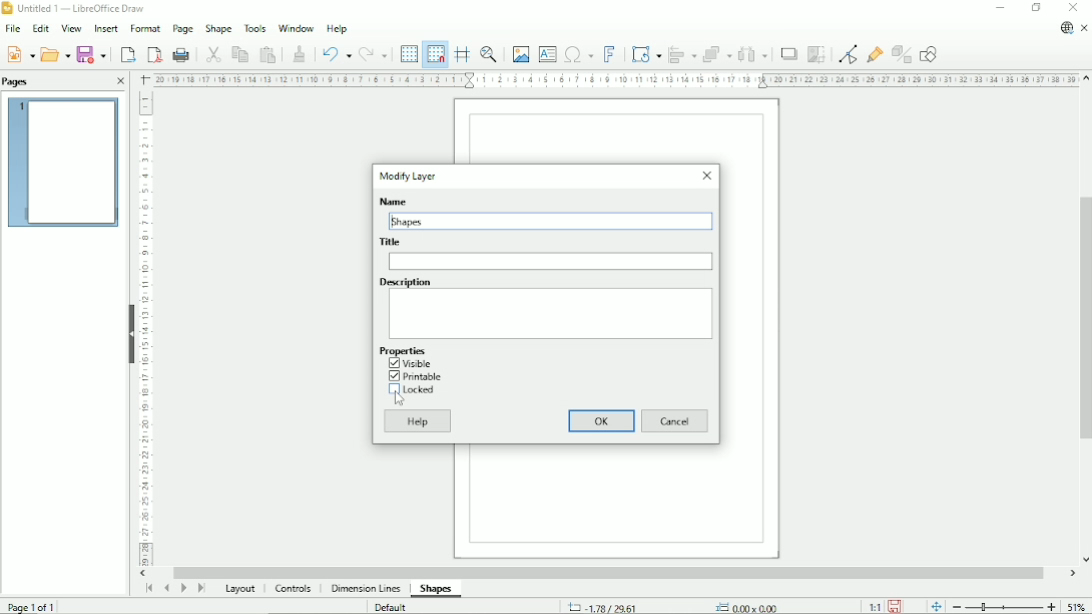 This screenshot has height=614, width=1092. What do you see at coordinates (847, 54) in the screenshot?
I see `toggle point edit mode` at bounding box center [847, 54].